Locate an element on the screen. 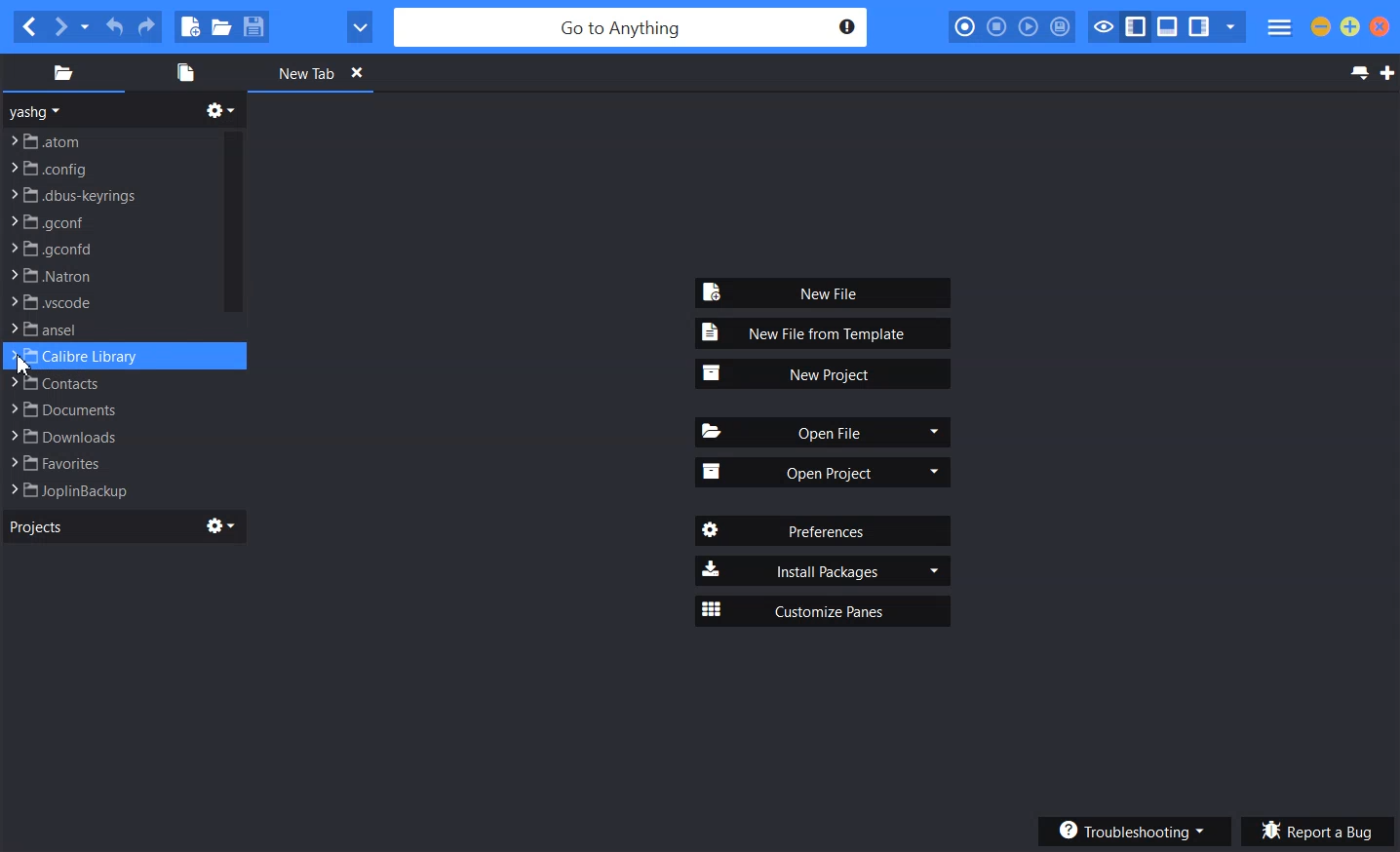 The width and height of the screenshot is (1400, 852). New Project is located at coordinates (824, 374).